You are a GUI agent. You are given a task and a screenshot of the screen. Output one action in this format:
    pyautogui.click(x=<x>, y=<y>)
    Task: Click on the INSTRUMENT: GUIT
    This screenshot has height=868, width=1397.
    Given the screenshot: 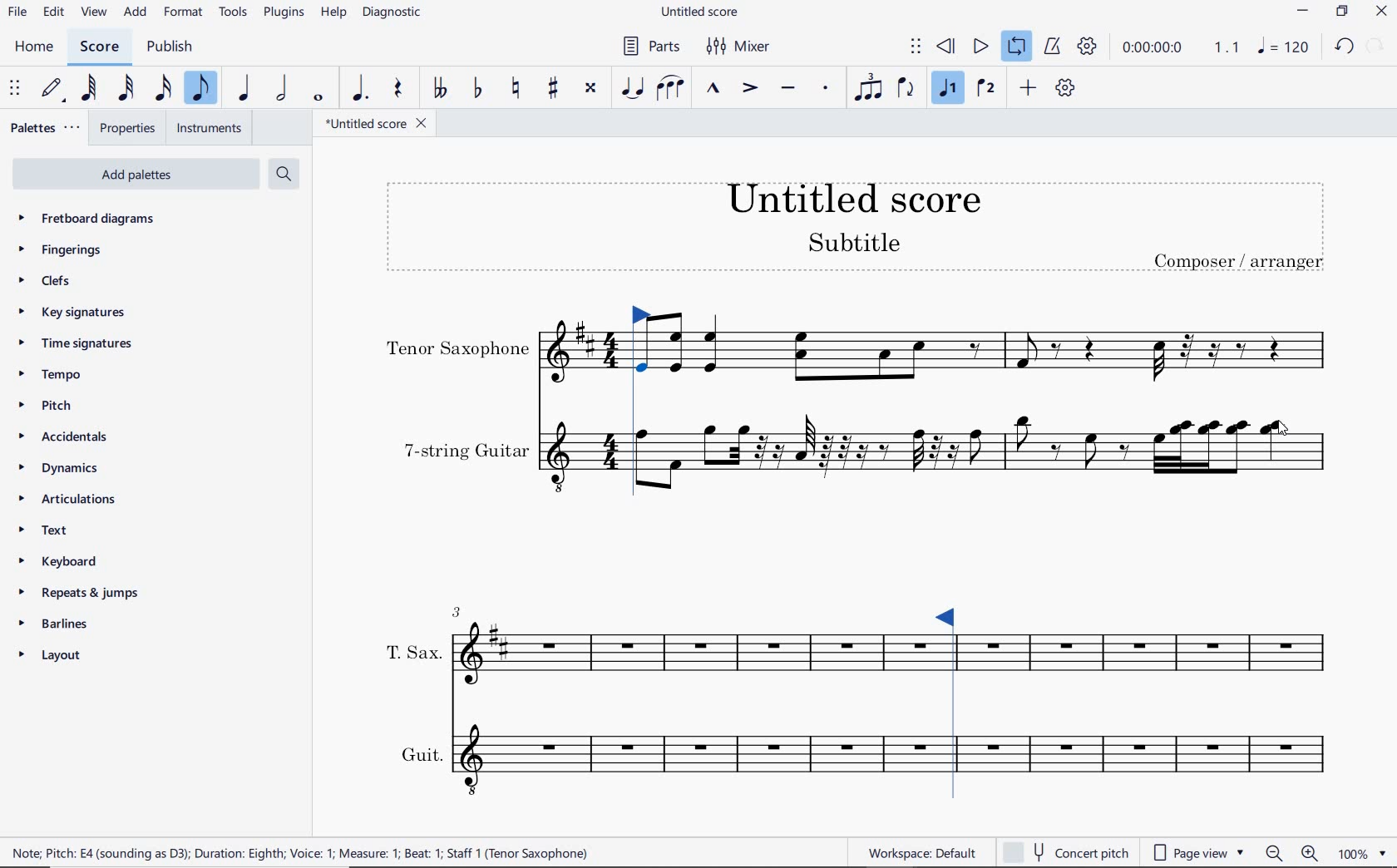 What is the action you would take?
    pyautogui.click(x=1167, y=756)
    